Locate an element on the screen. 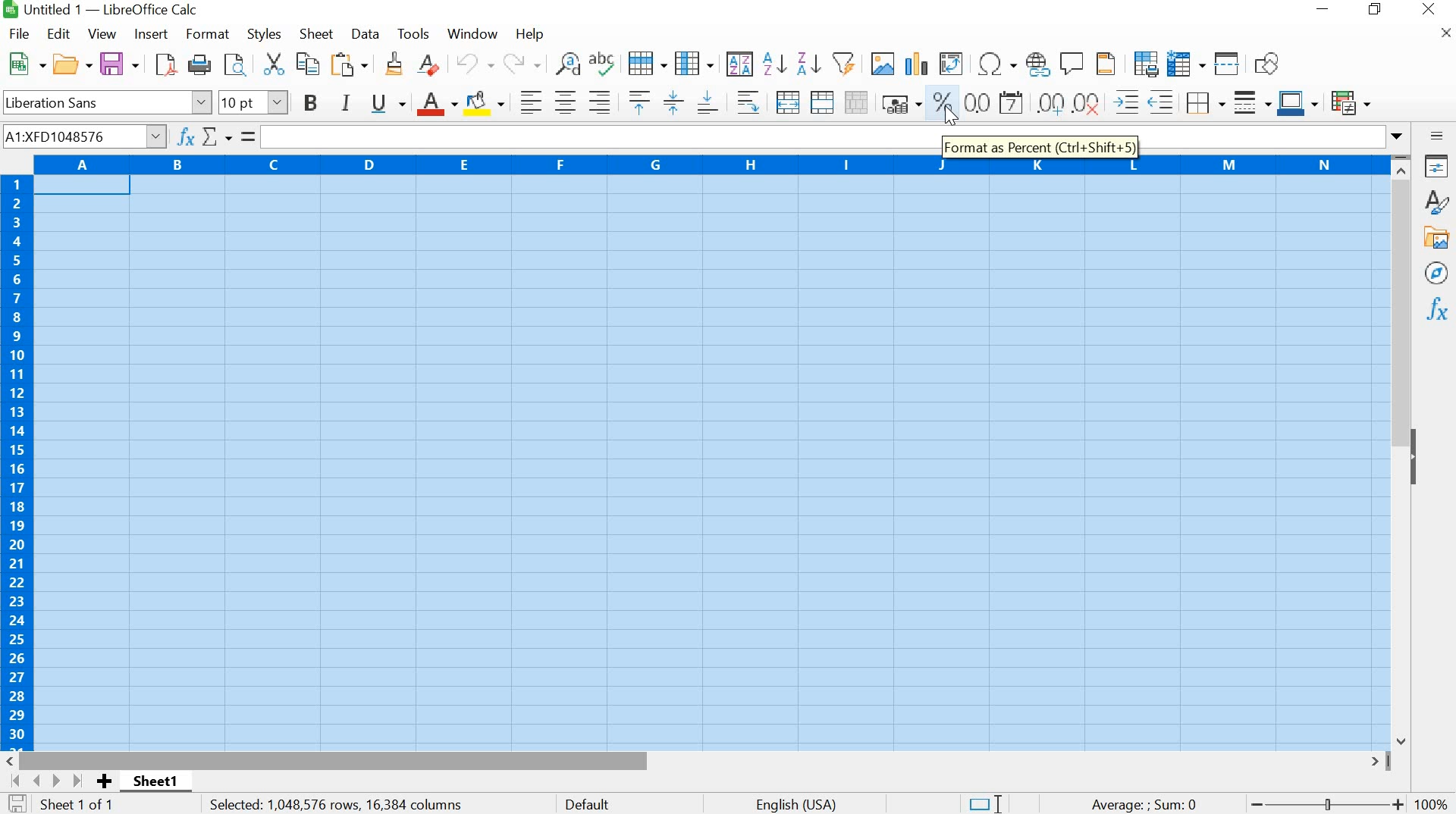 This screenshot has width=1456, height=814. Show Draw Function is located at coordinates (1266, 64).